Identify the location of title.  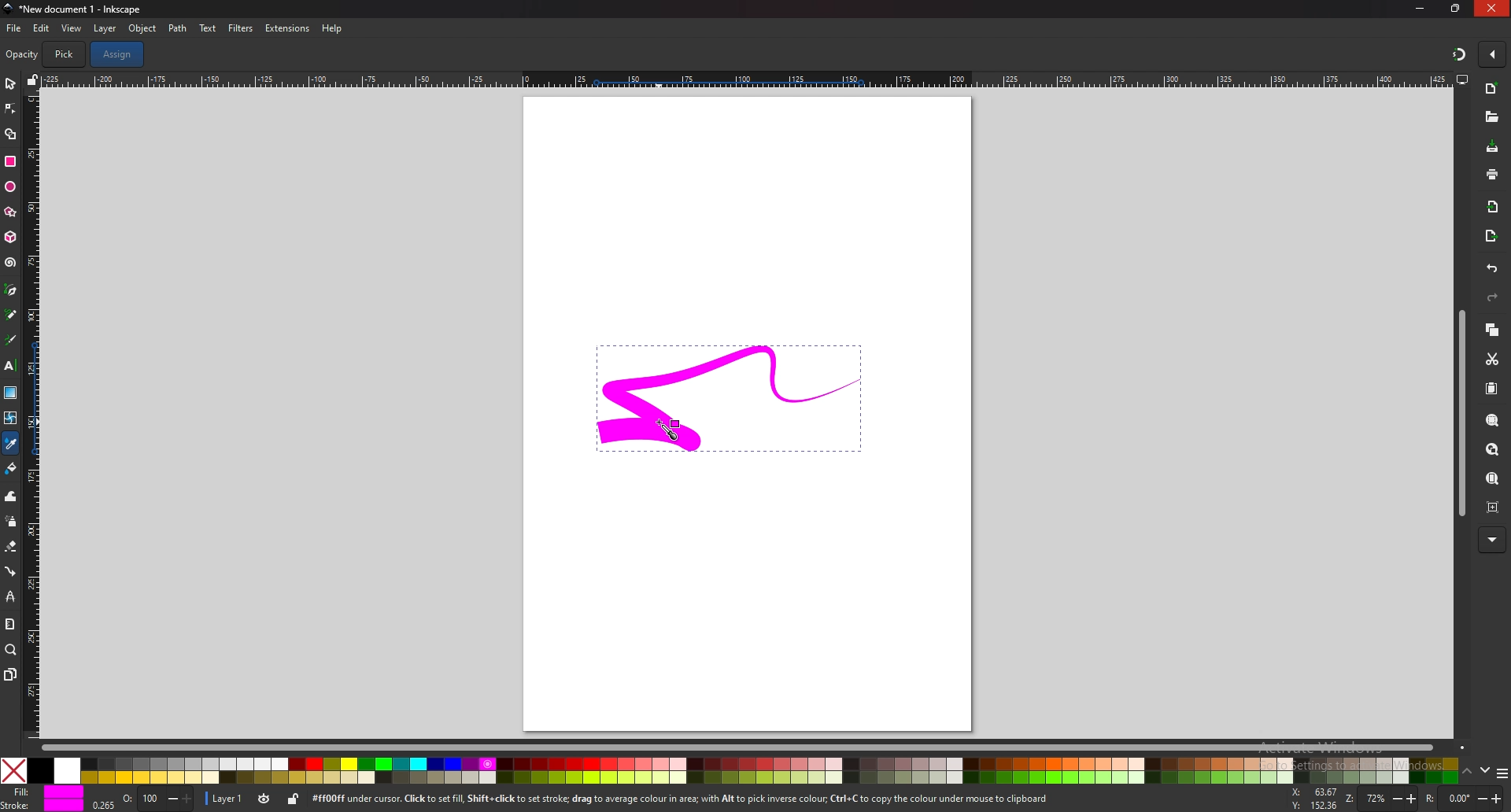
(83, 9).